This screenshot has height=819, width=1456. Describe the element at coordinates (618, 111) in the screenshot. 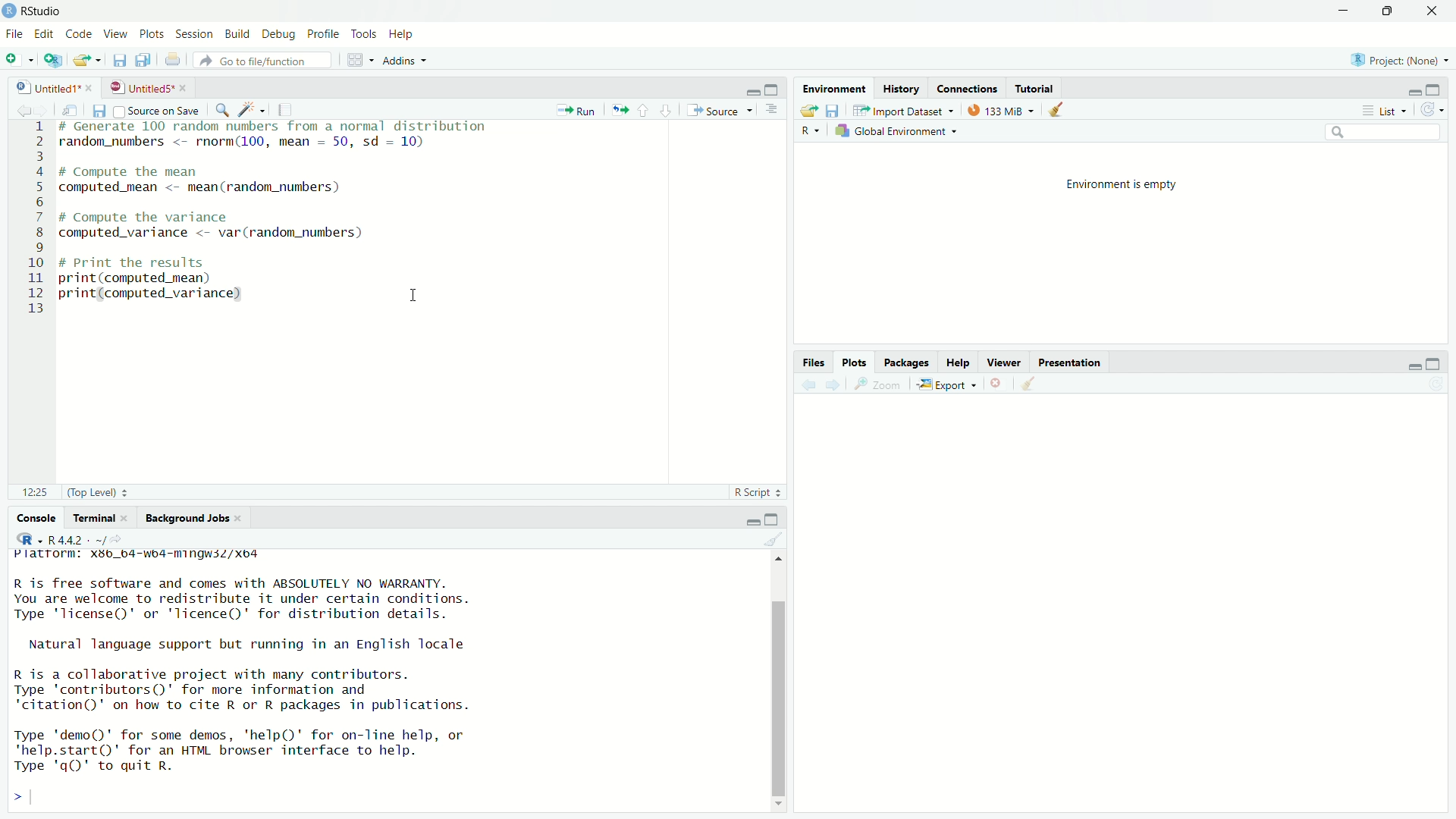

I see `re-run the previous code region` at that location.